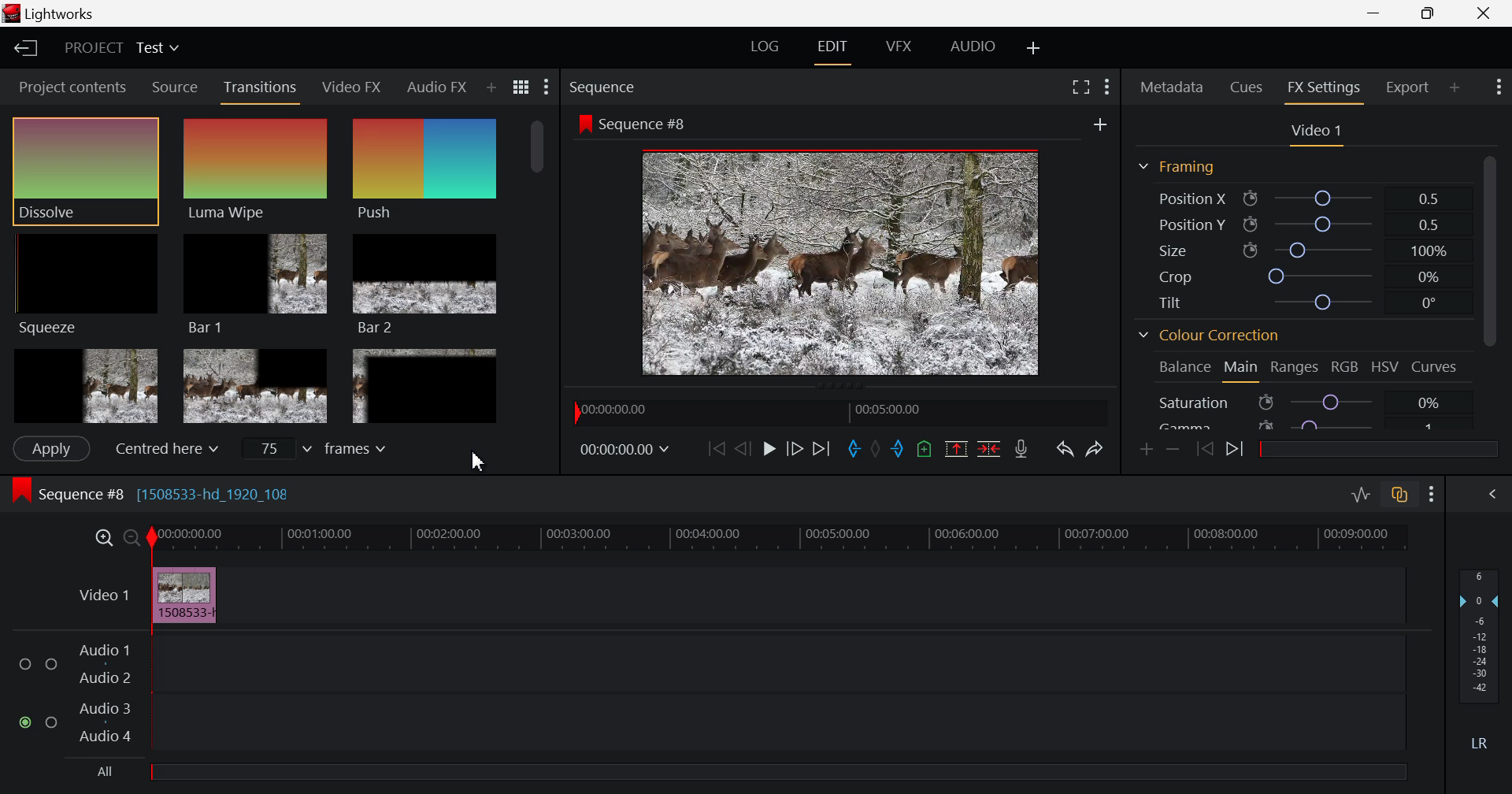  I want to click on Add Layout, so click(1031, 46).